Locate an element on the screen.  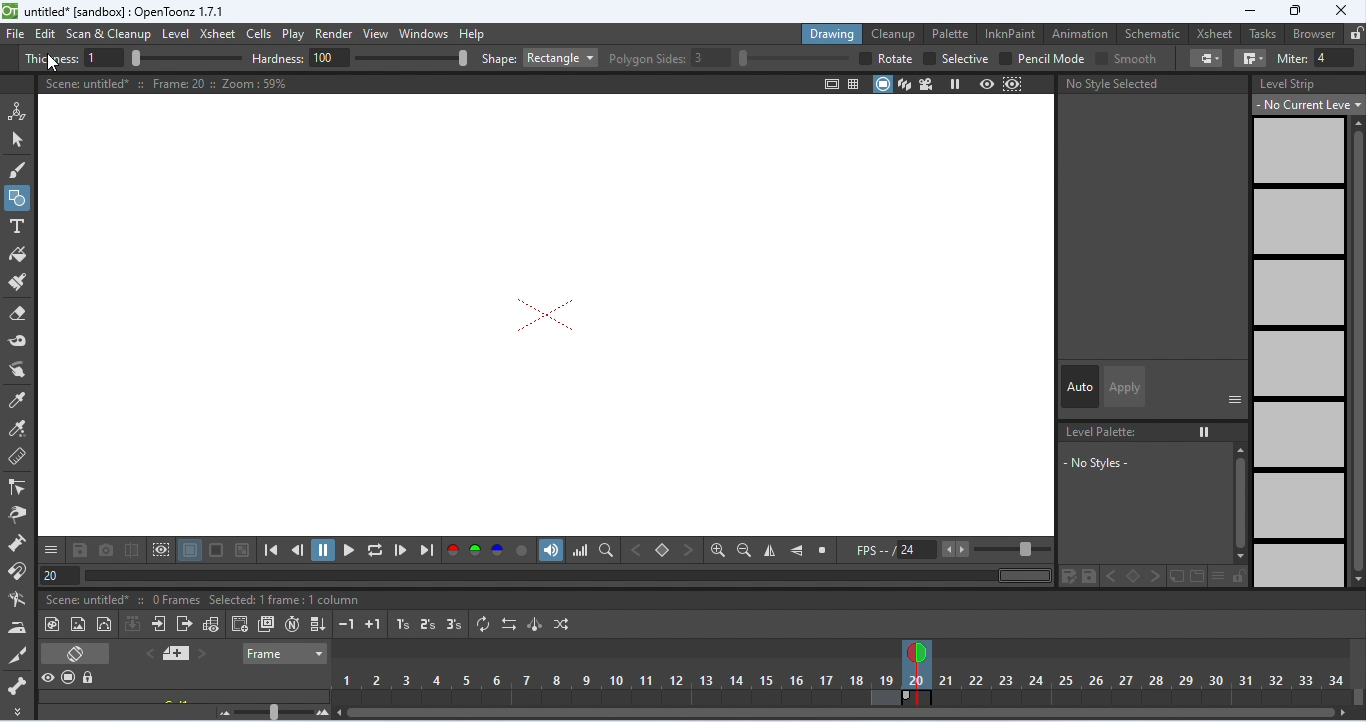
save and more is located at coordinates (50, 549).